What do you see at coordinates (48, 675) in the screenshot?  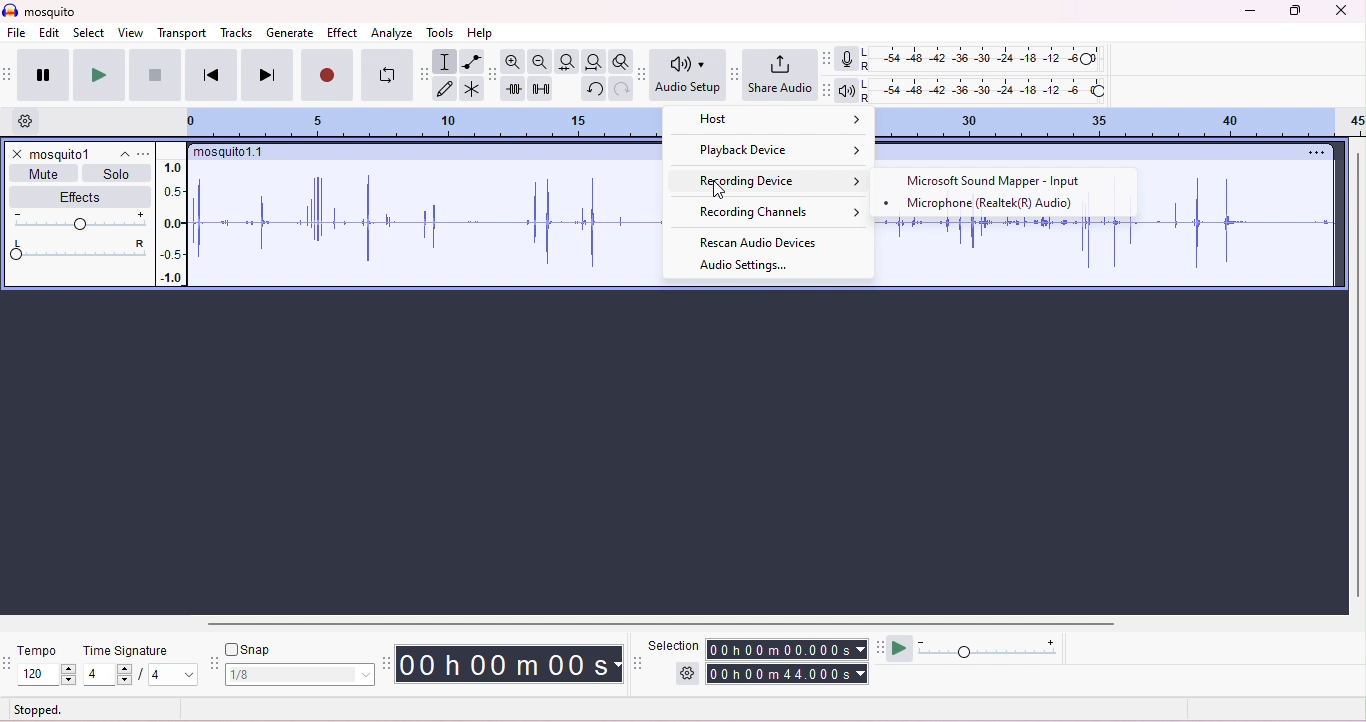 I see `select tempo` at bounding box center [48, 675].